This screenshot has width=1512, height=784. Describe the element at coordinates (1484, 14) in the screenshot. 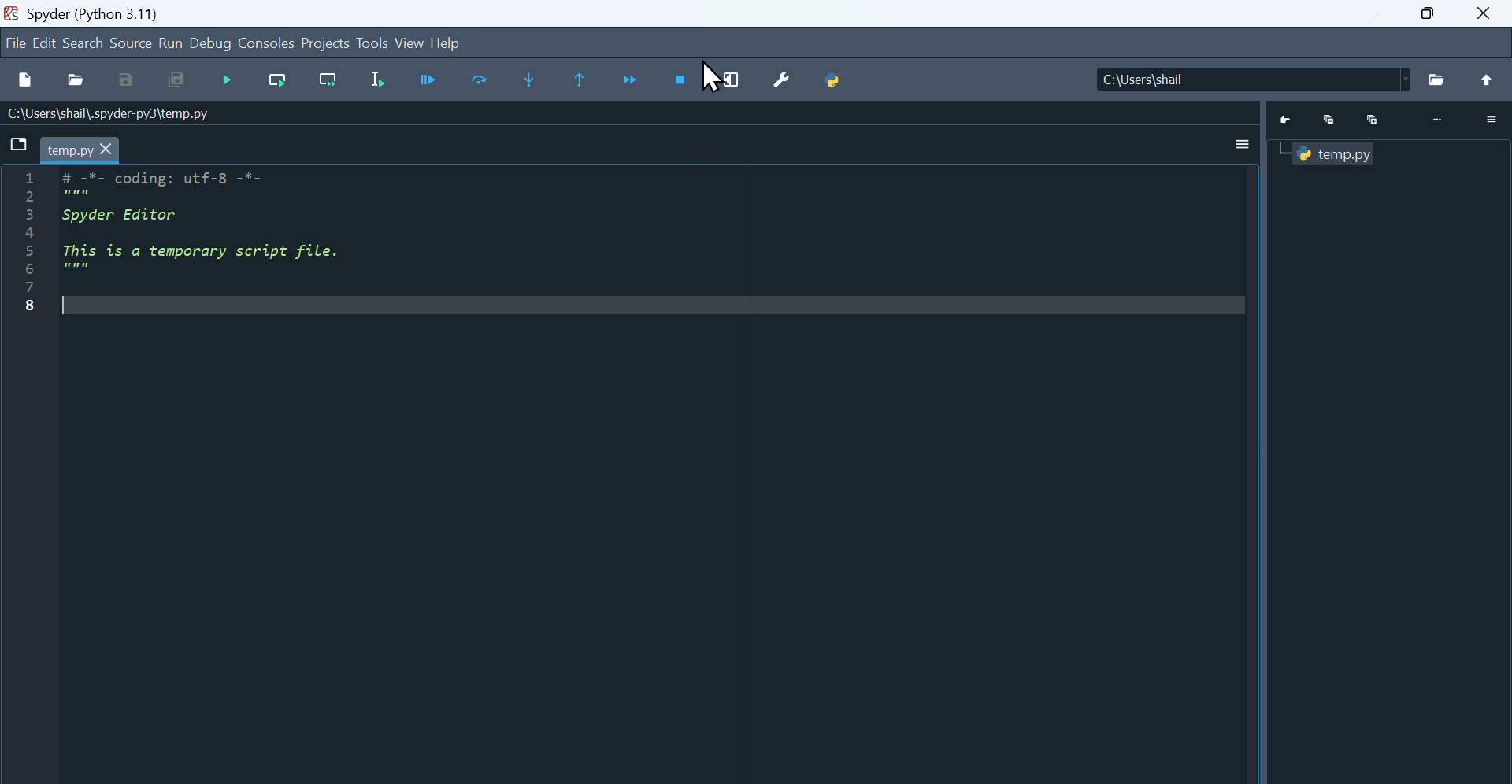

I see `close` at that location.